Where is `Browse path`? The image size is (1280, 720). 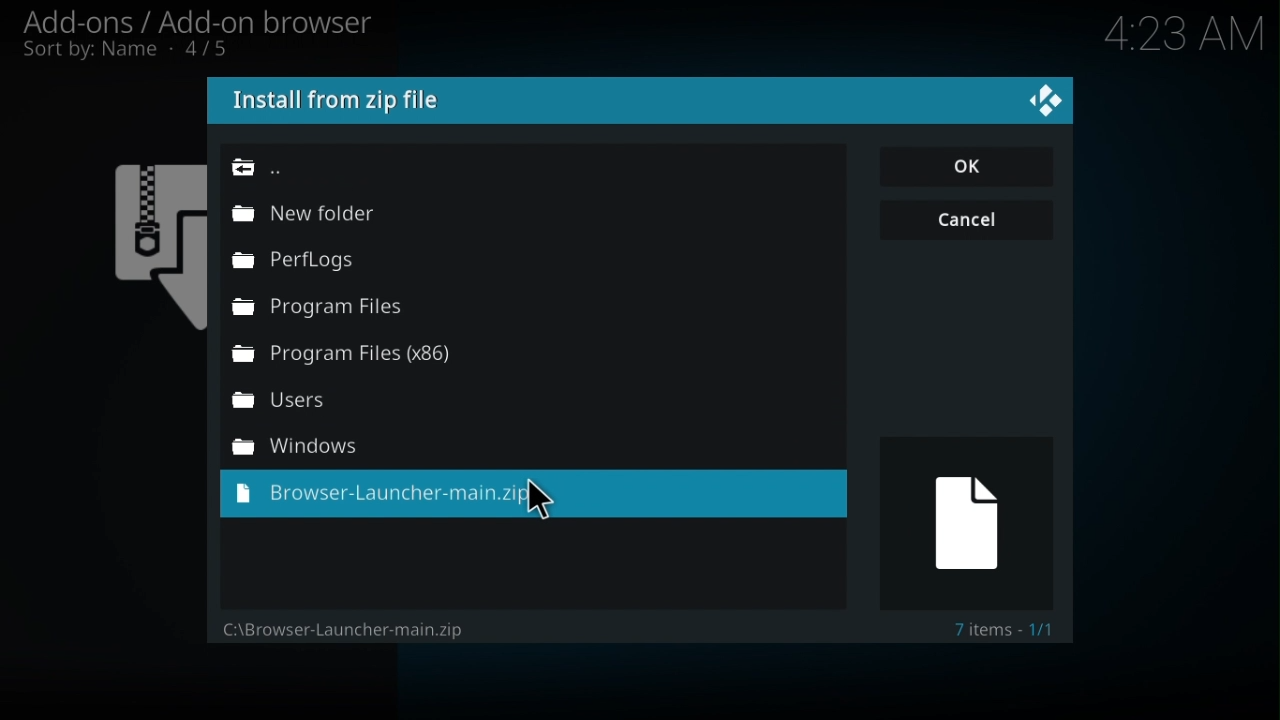
Browse path is located at coordinates (298, 168).